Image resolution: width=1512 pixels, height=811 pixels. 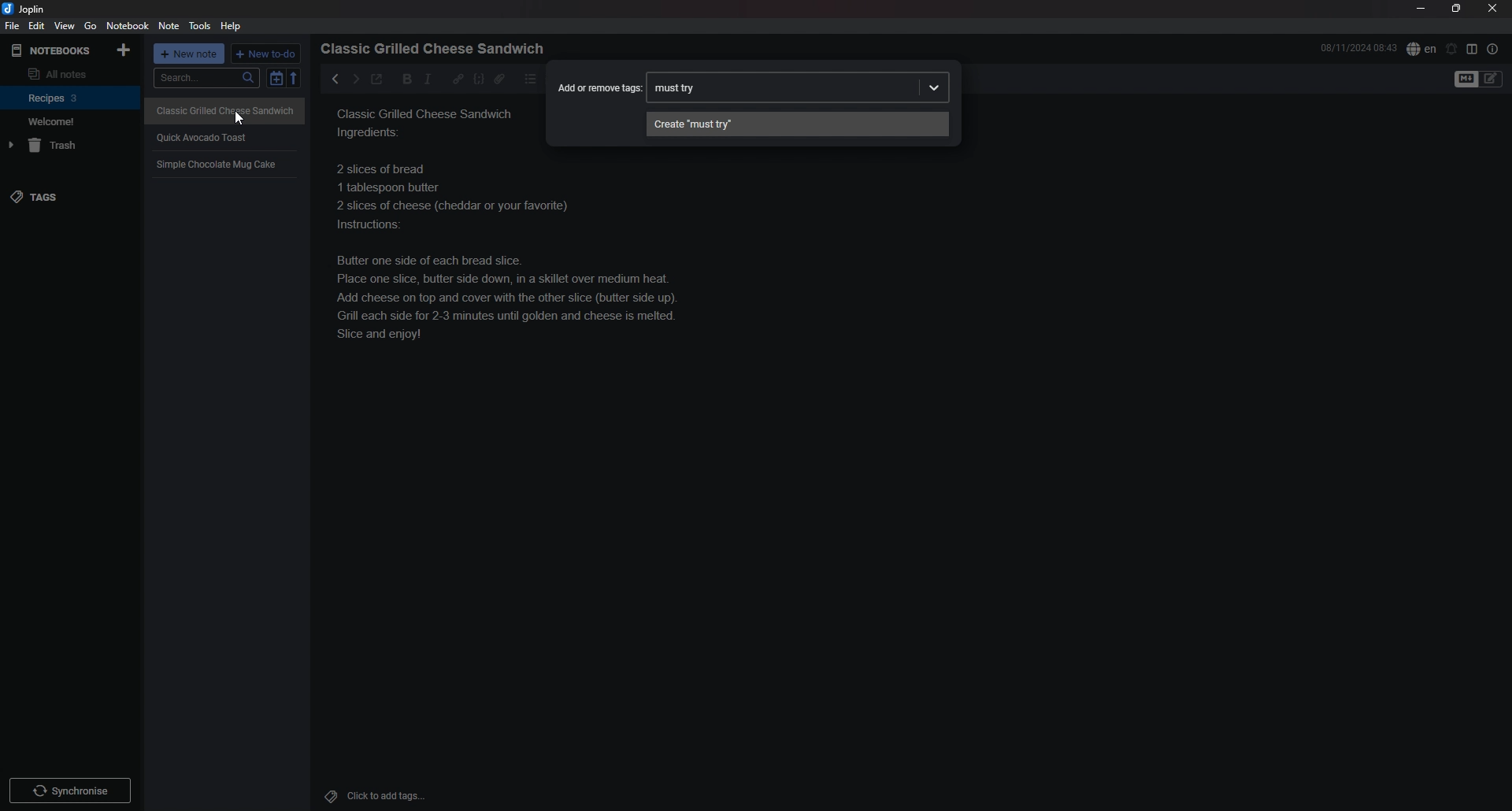 I want to click on heading, so click(x=437, y=49).